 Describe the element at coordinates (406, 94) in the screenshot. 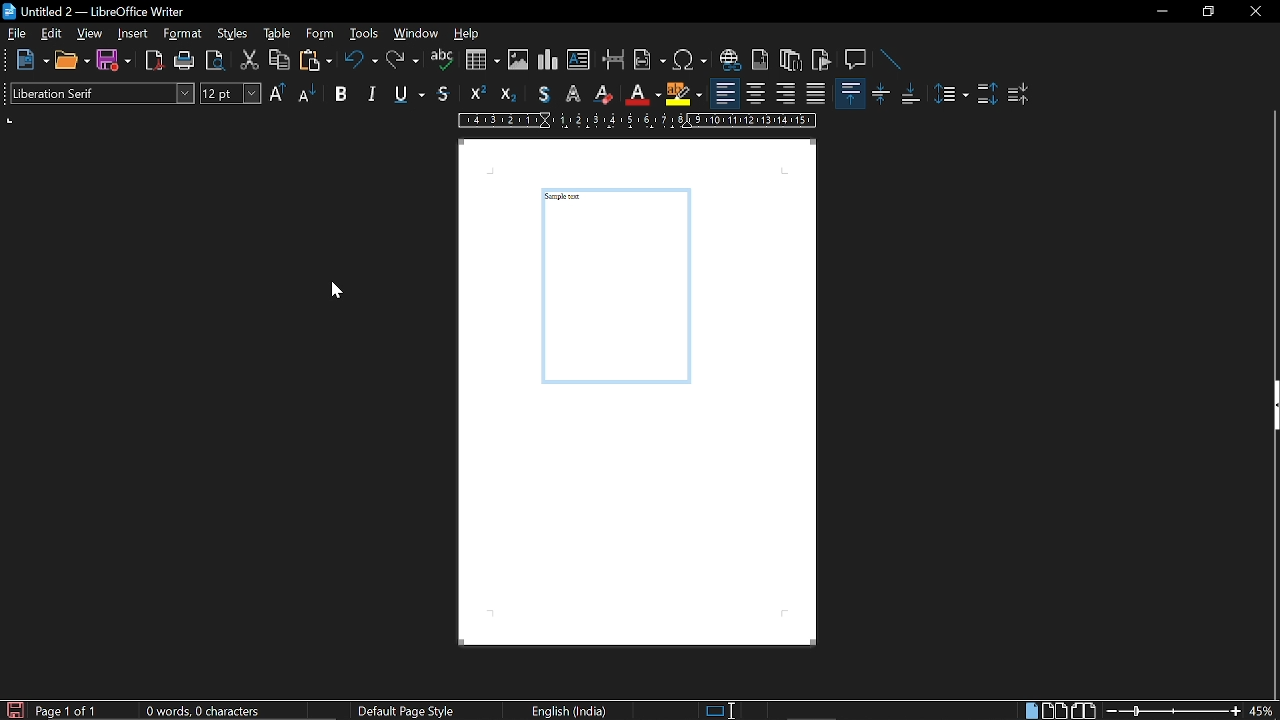

I see `underline` at that location.